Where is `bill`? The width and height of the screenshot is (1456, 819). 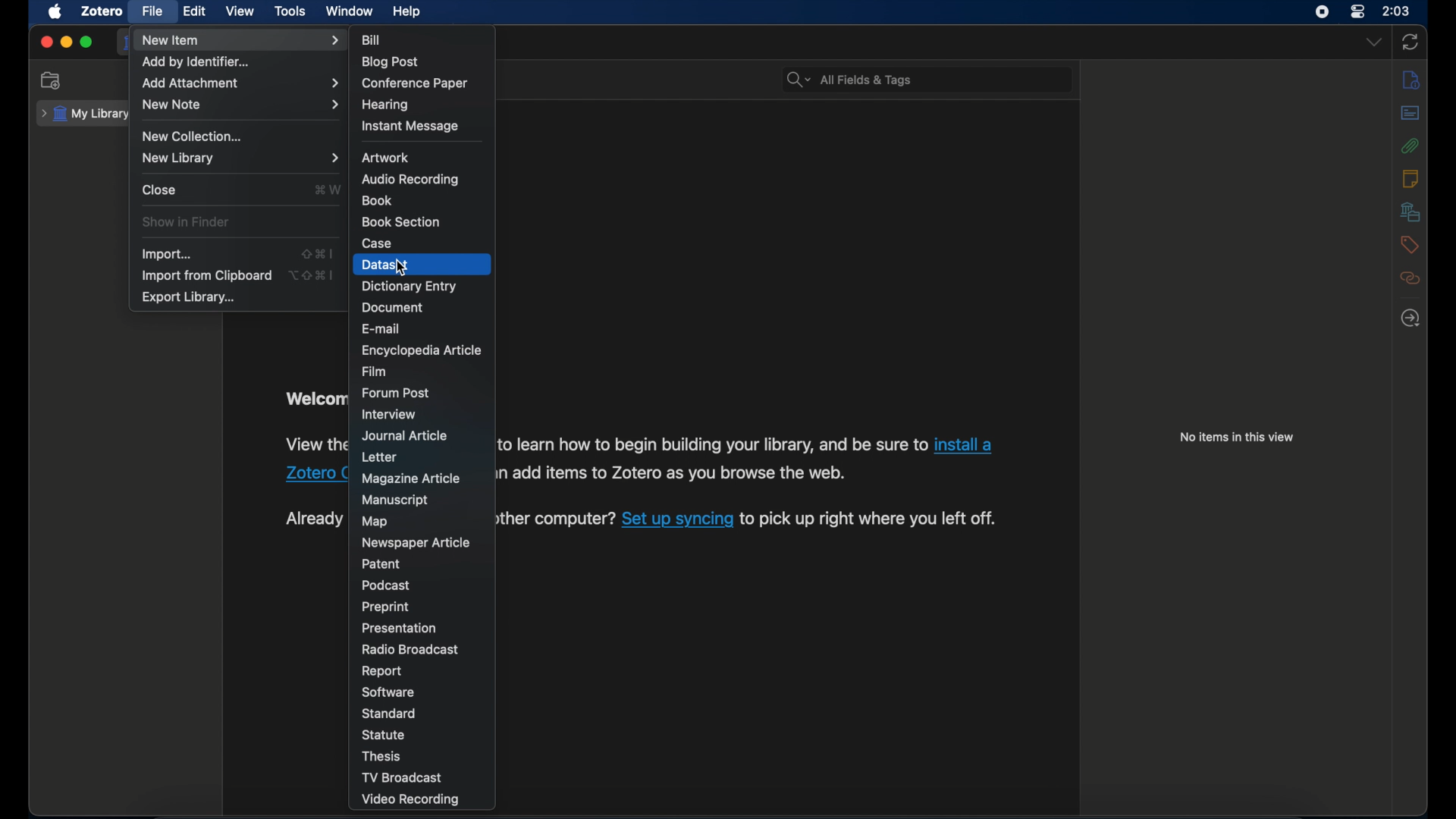 bill is located at coordinates (372, 40).